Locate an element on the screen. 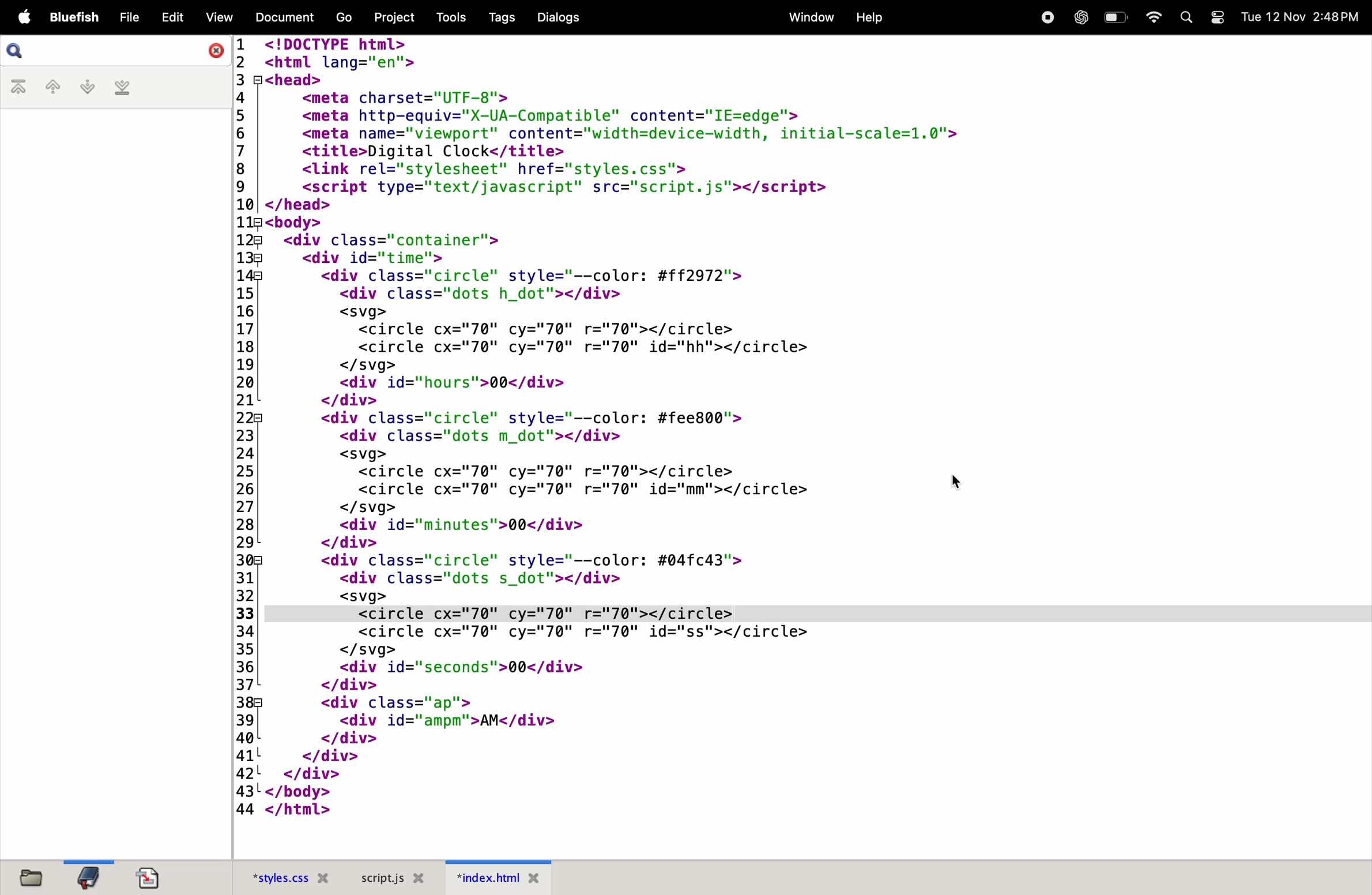  previous bookmark is located at coordinates (55, 86).